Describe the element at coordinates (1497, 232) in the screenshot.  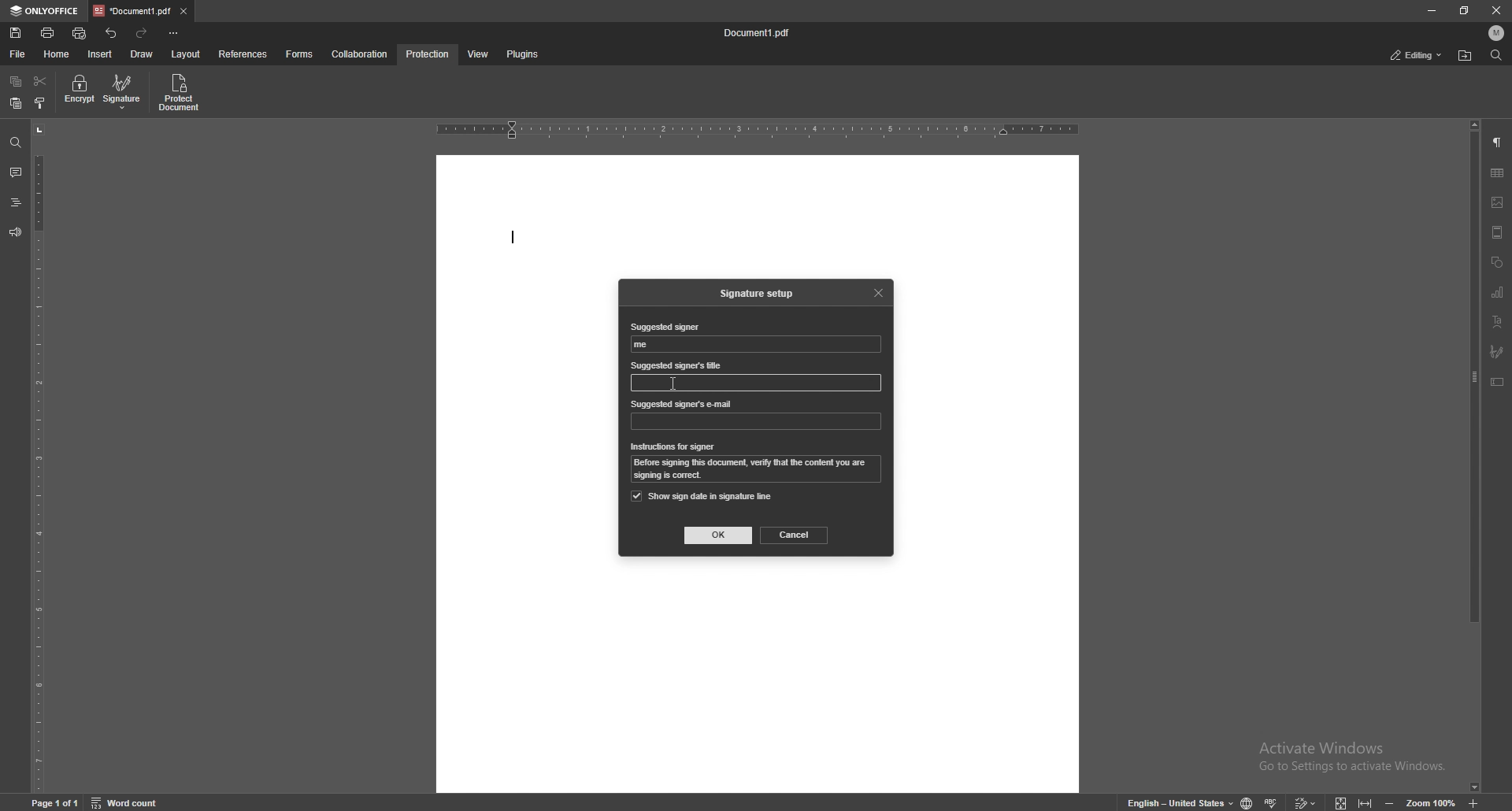
I see `header and footer` at that location.